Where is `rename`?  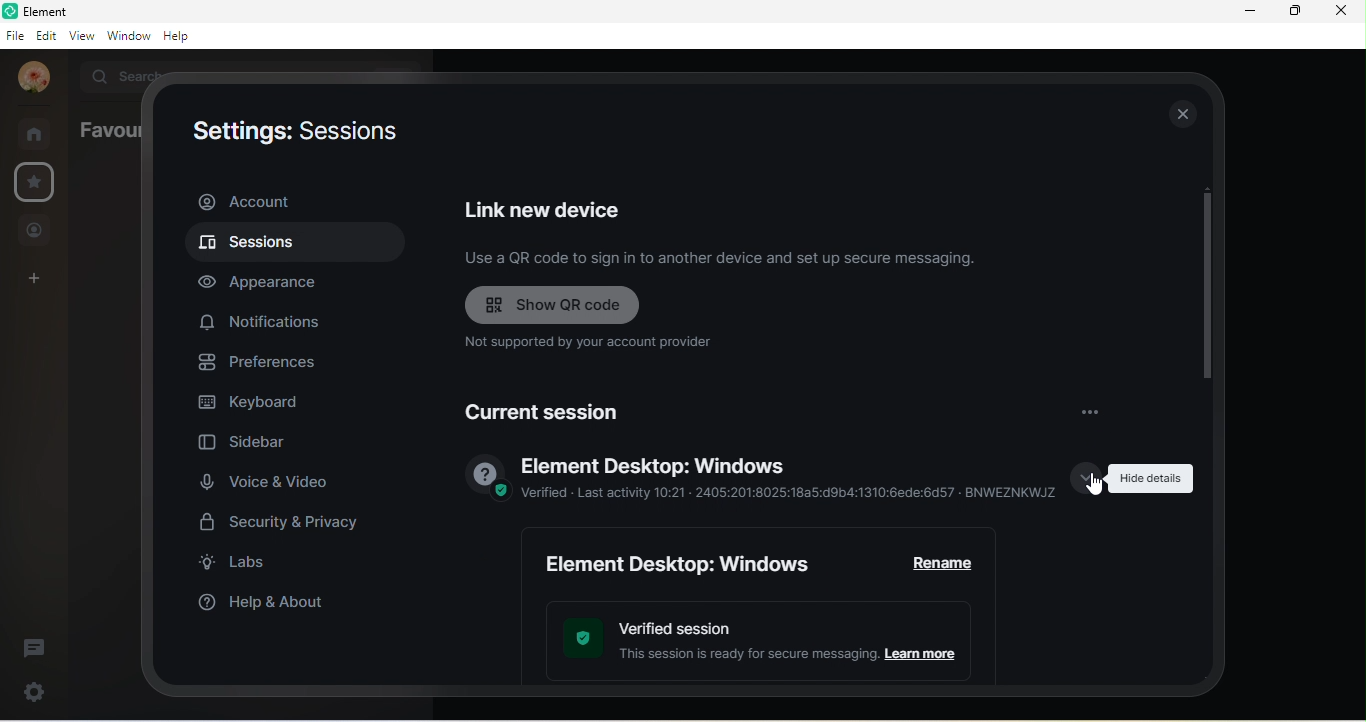 rename is located at coordinates (944, 567).